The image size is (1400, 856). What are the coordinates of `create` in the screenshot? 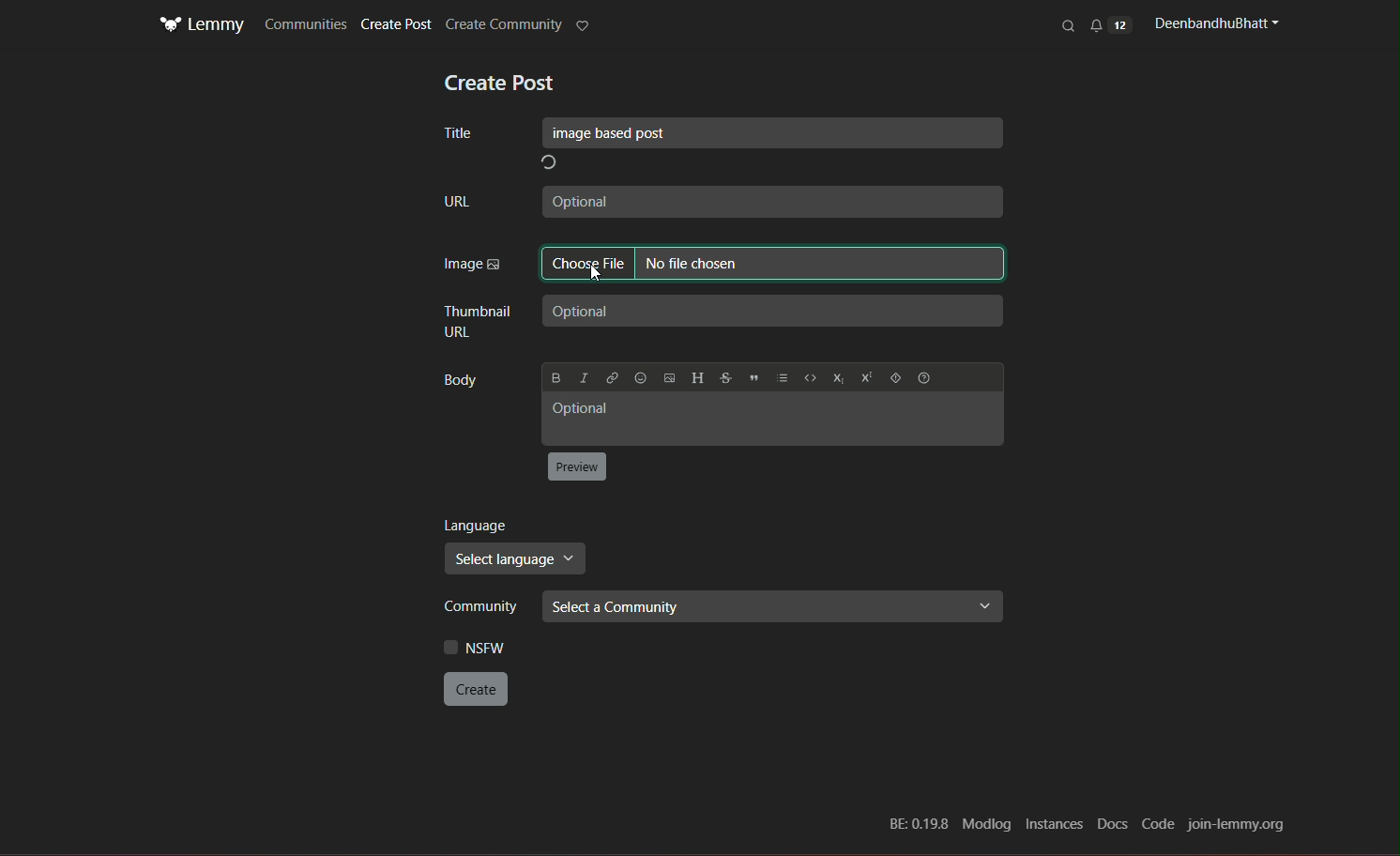 It's located at (474, 689).